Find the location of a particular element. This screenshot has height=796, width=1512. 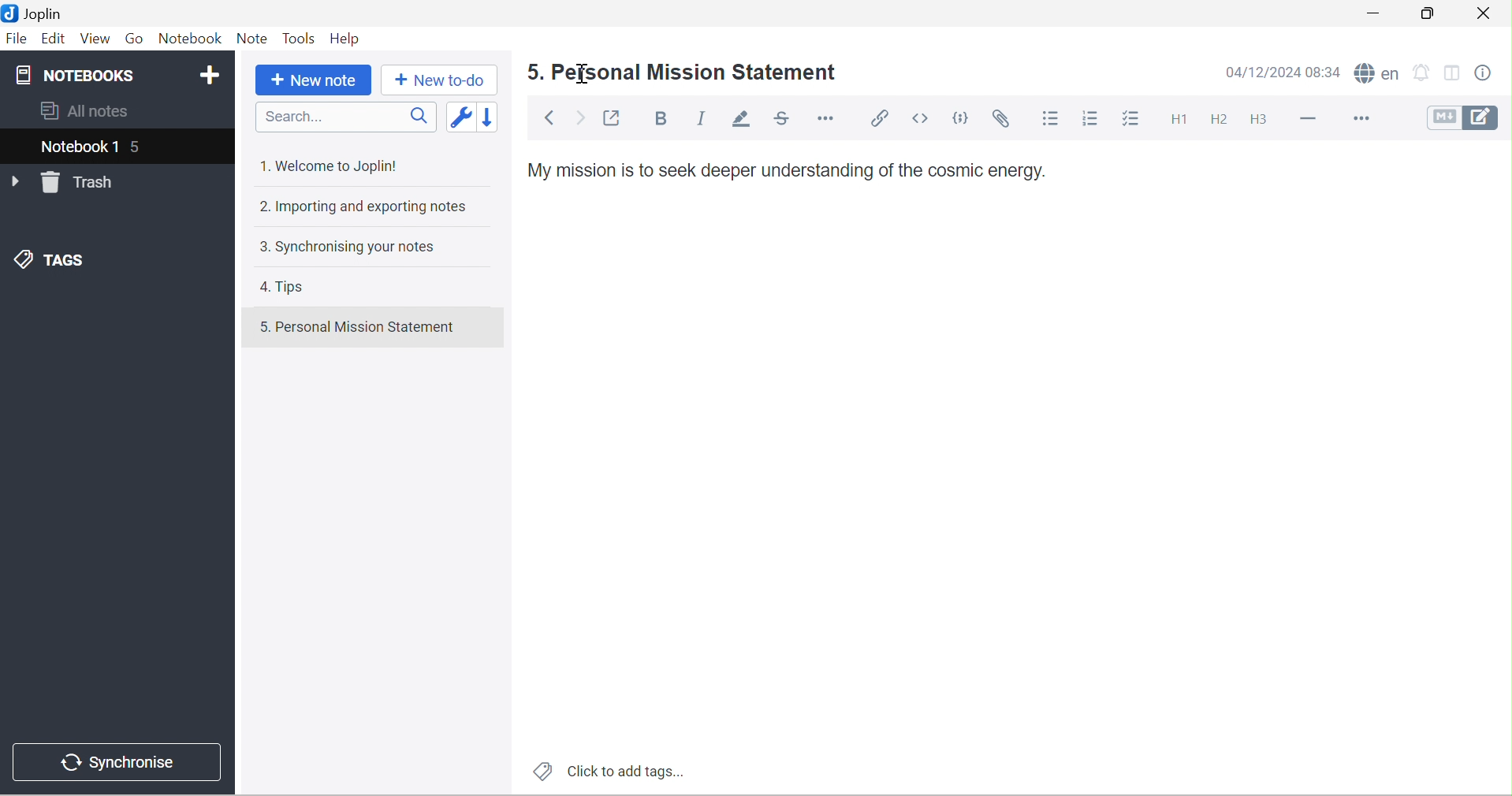

Heading 2 is located at coordinates (1221, 120).